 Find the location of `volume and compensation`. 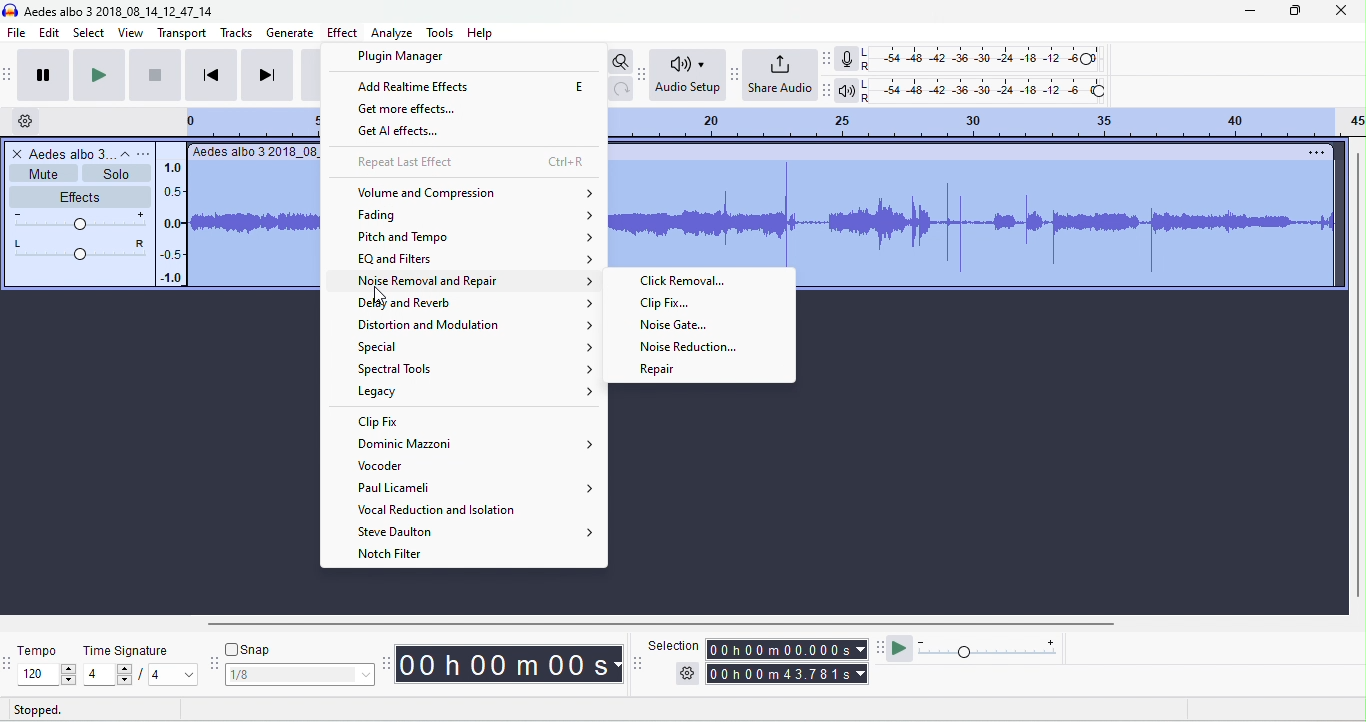

volume and compensation is located at coordinates (476, 193).